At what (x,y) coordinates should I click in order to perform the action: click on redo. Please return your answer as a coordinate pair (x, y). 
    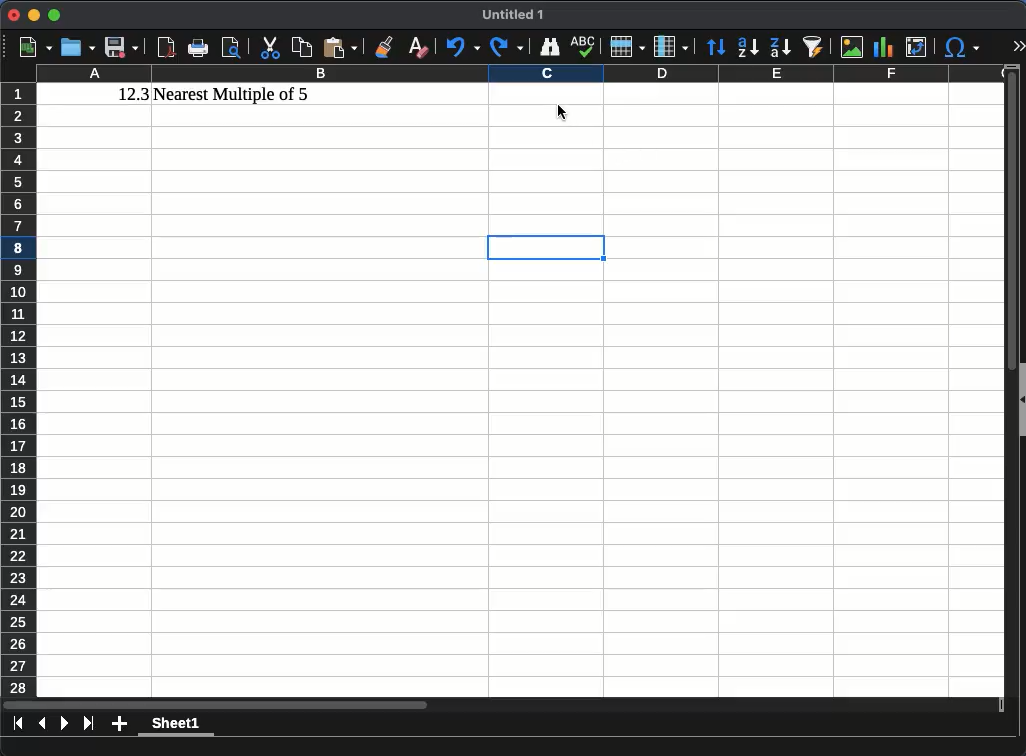
    Looking at the image, I should click on (506, 48).